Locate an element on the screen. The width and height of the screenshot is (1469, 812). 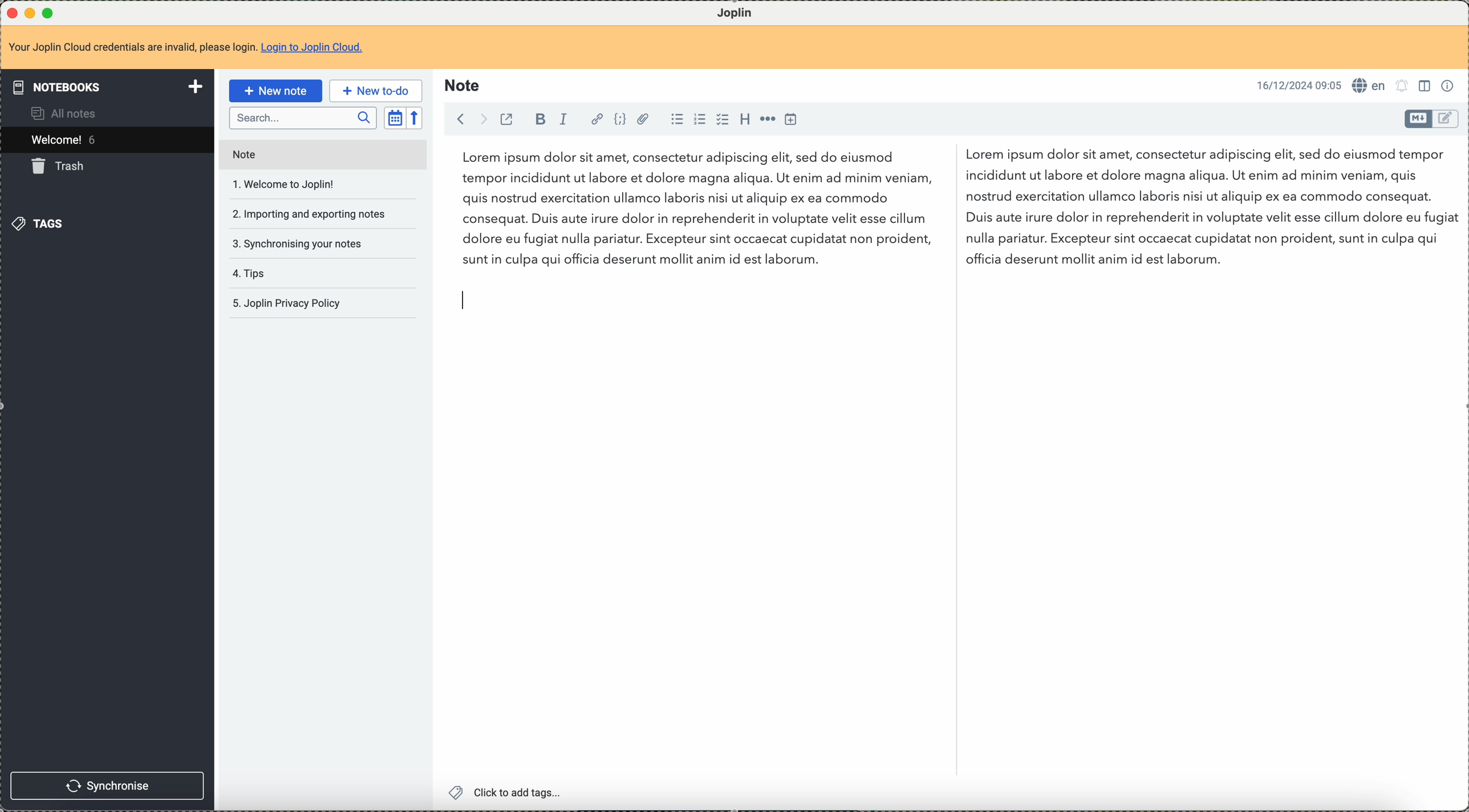
notebooks is located at coordinates (104, 87).